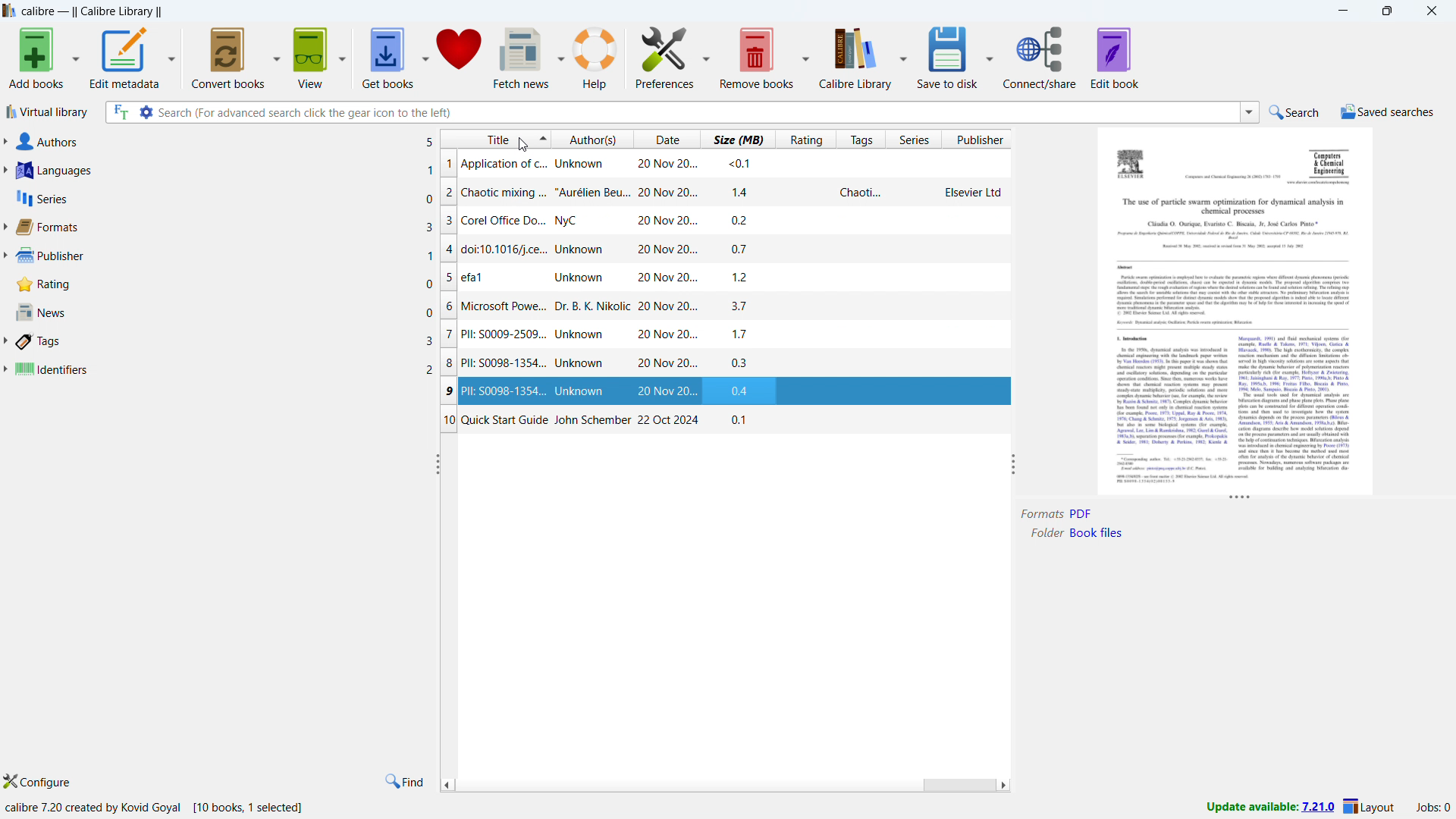 The image size is (1456, 819). Describe the element at coordinates (226, 58) in the screenshot. I see `convert books` at that location.